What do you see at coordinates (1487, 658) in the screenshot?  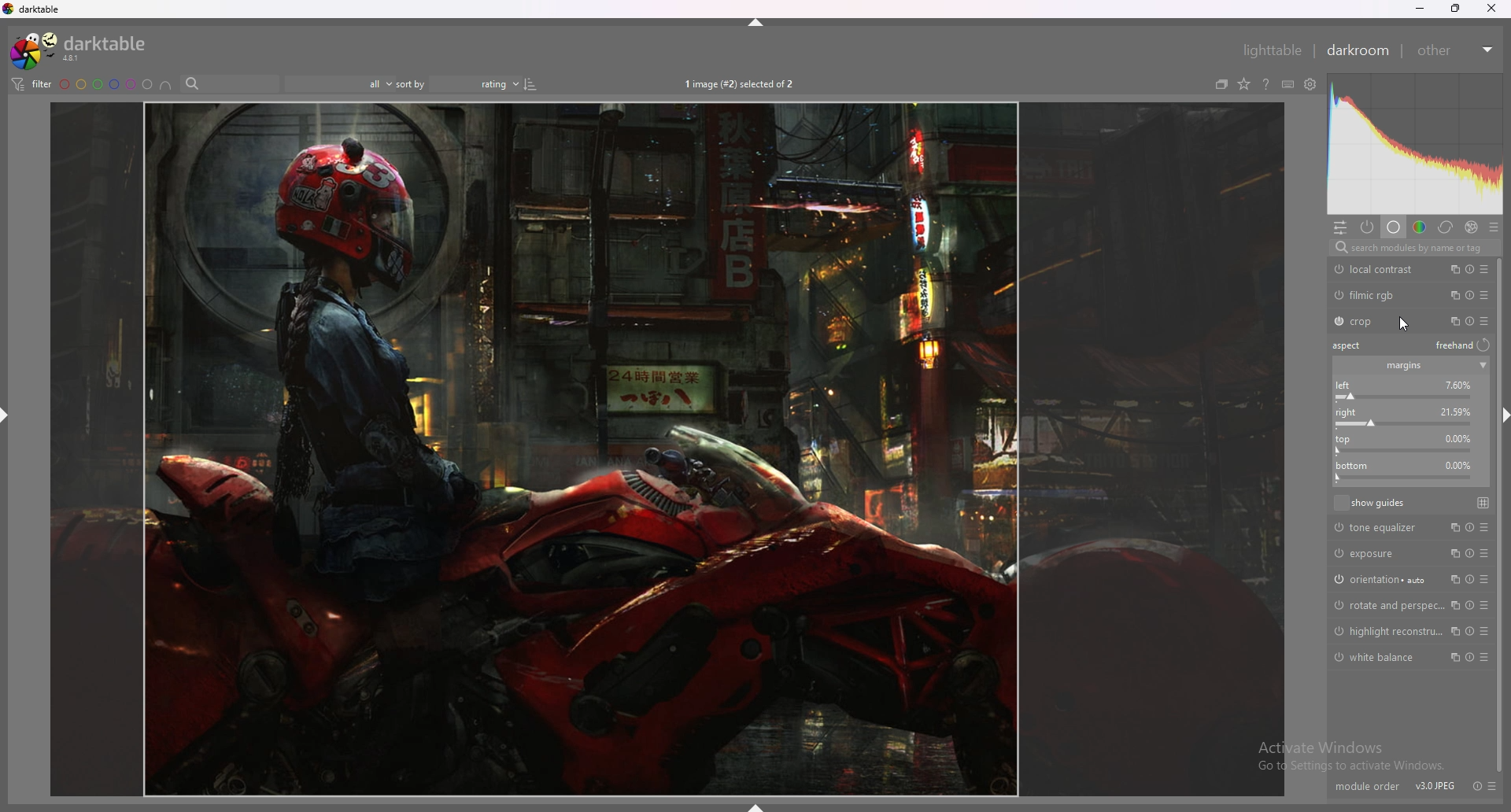 I see `presets` at bounding box center [1487, 658].